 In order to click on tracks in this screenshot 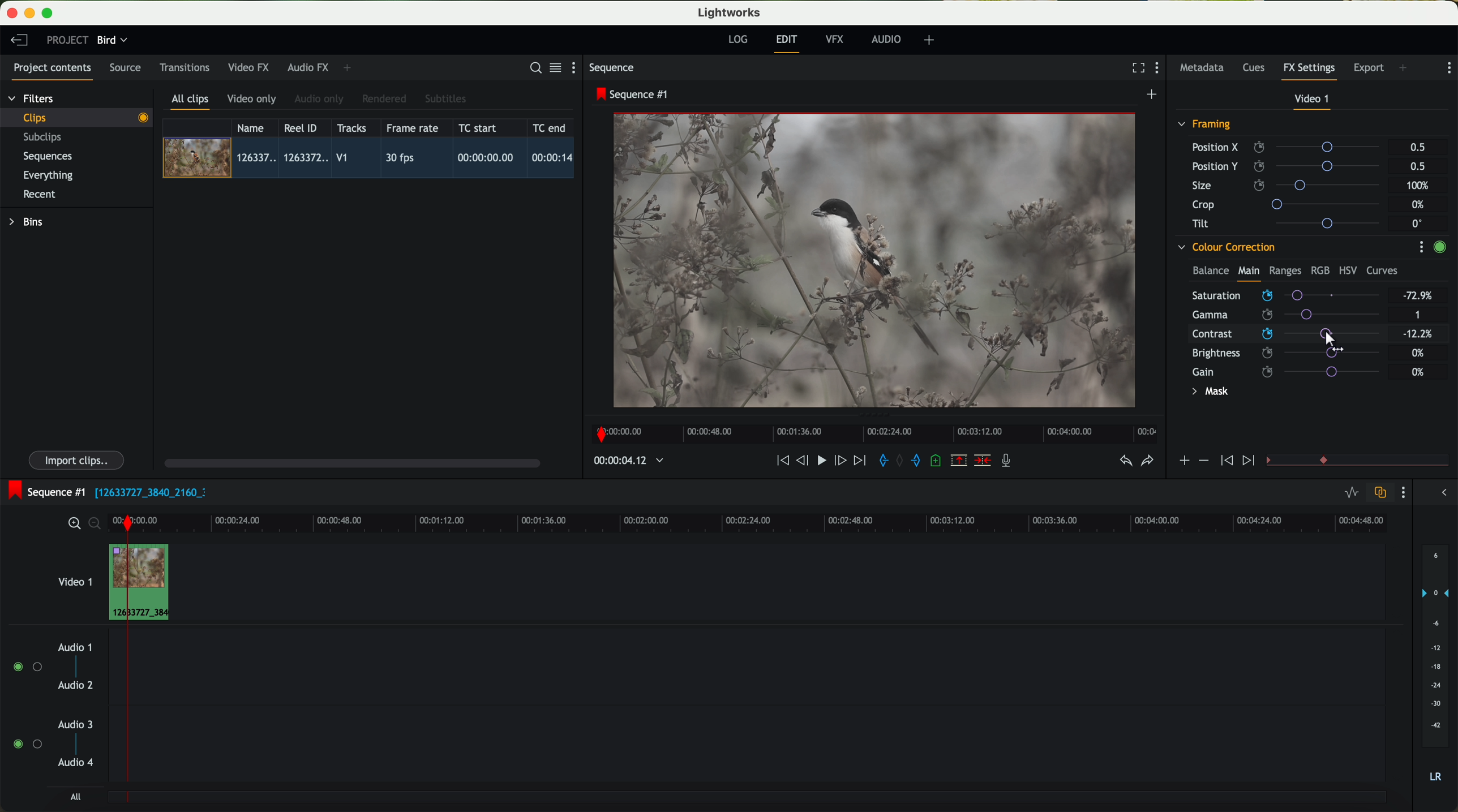, I will do `click(350, 128)`.